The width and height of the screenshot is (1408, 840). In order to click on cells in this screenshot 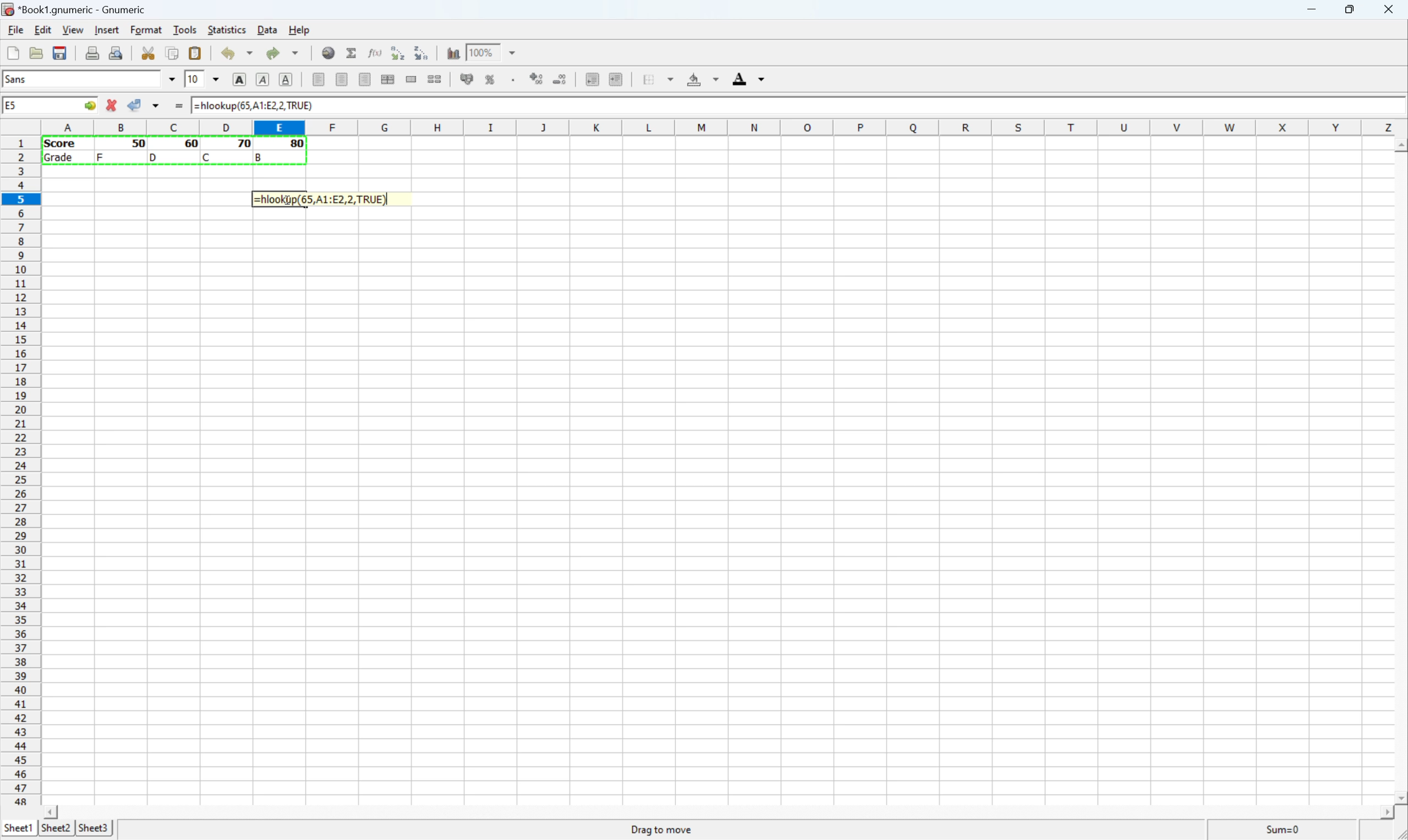, I will do `click(144, 199)`.